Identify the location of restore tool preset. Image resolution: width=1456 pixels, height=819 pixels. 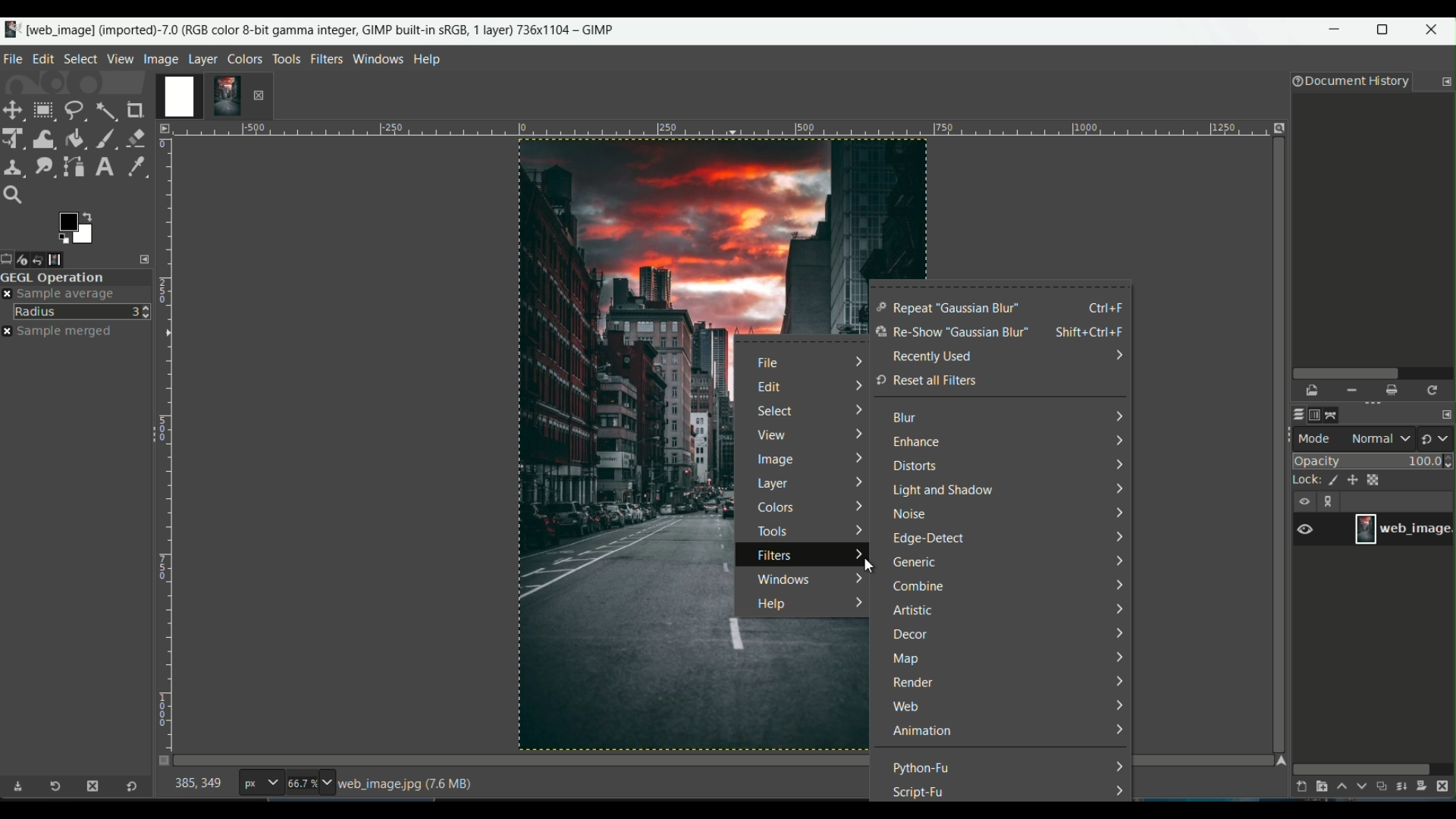
(60, 789).